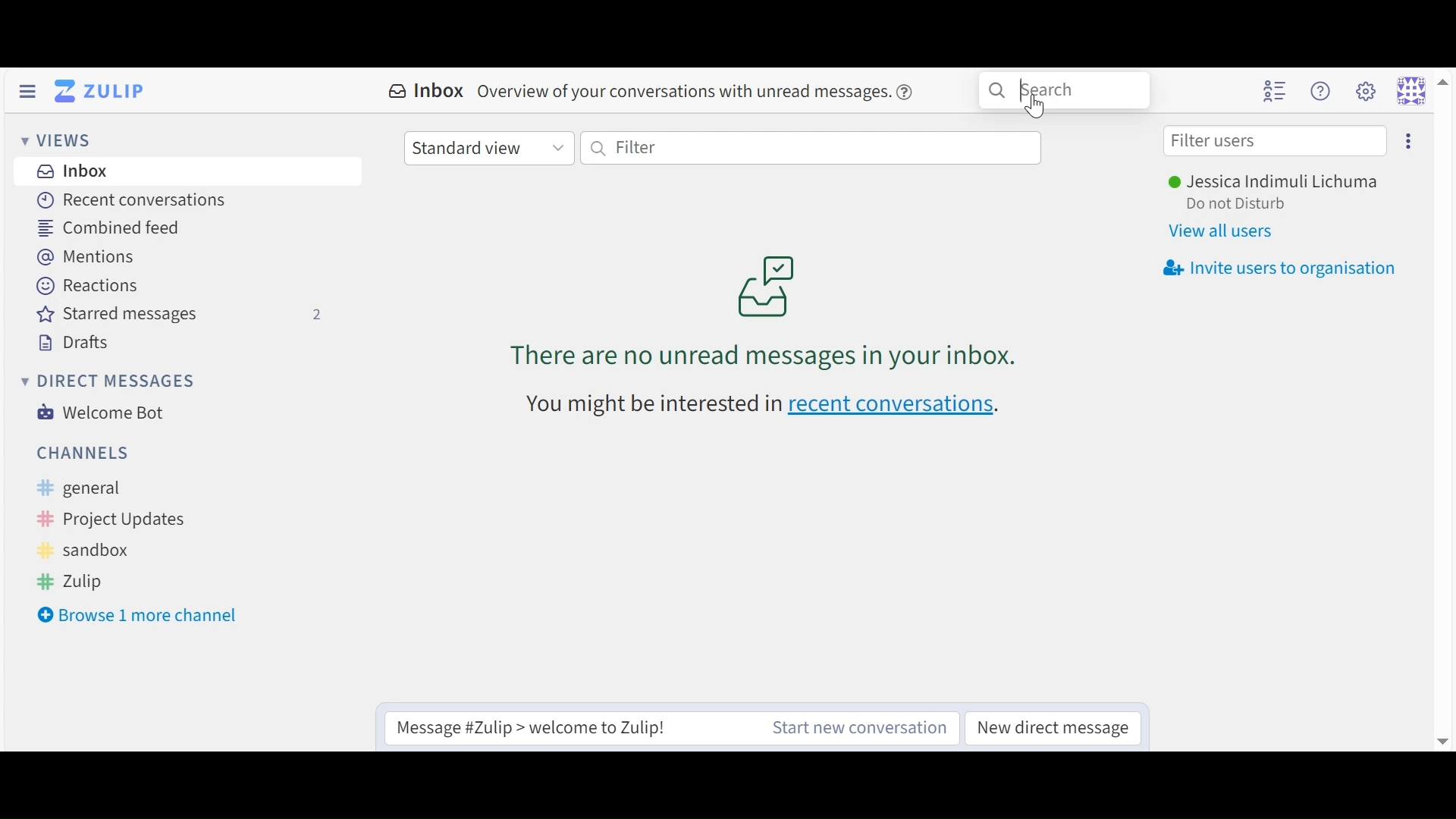  What do you see at coordinates (130, 199) in the screenshot?
I see `Recent Conversations` at bounding box center [130, 199].